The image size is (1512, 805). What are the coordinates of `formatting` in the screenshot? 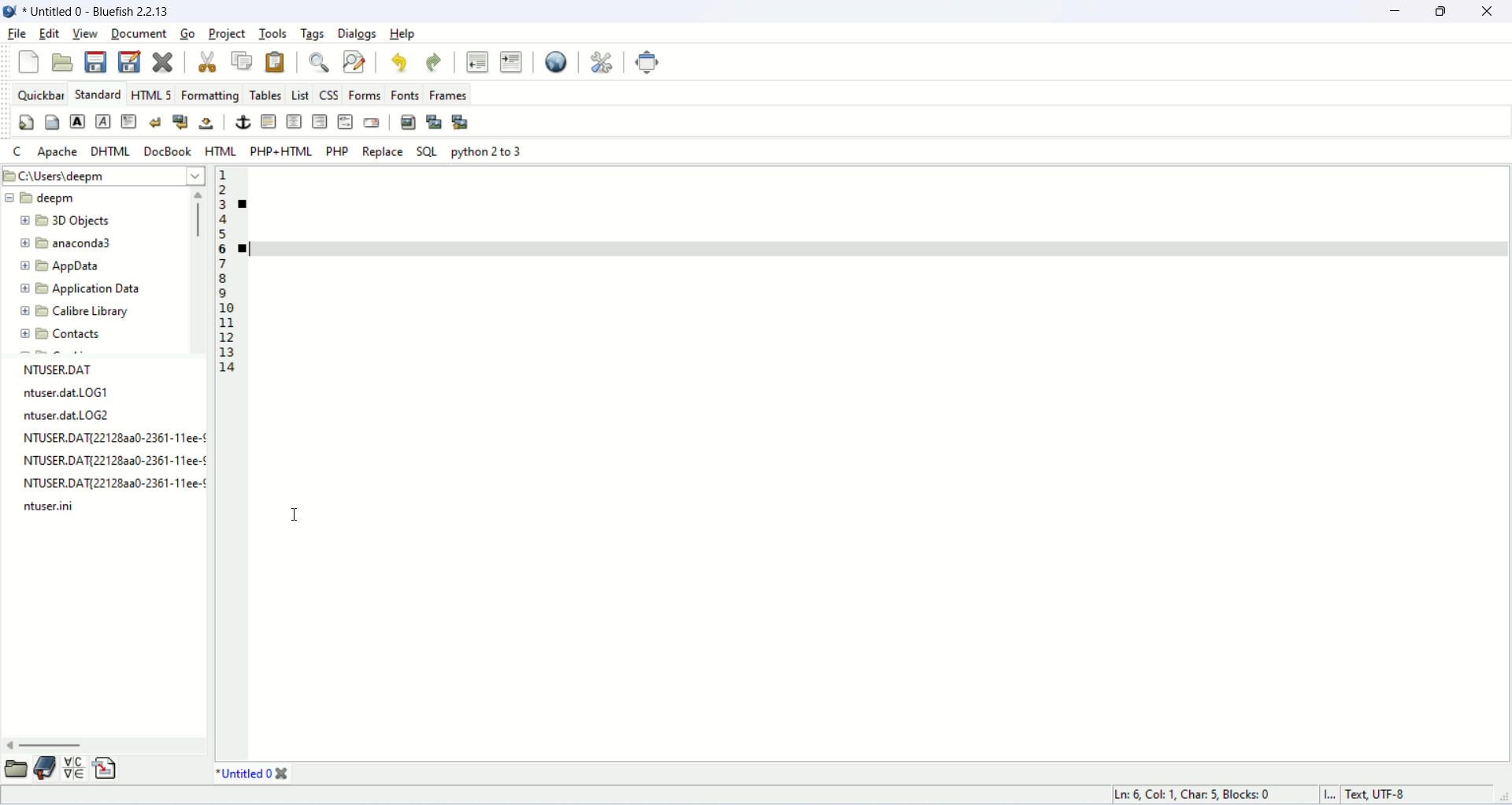 It's located at (209, 95).